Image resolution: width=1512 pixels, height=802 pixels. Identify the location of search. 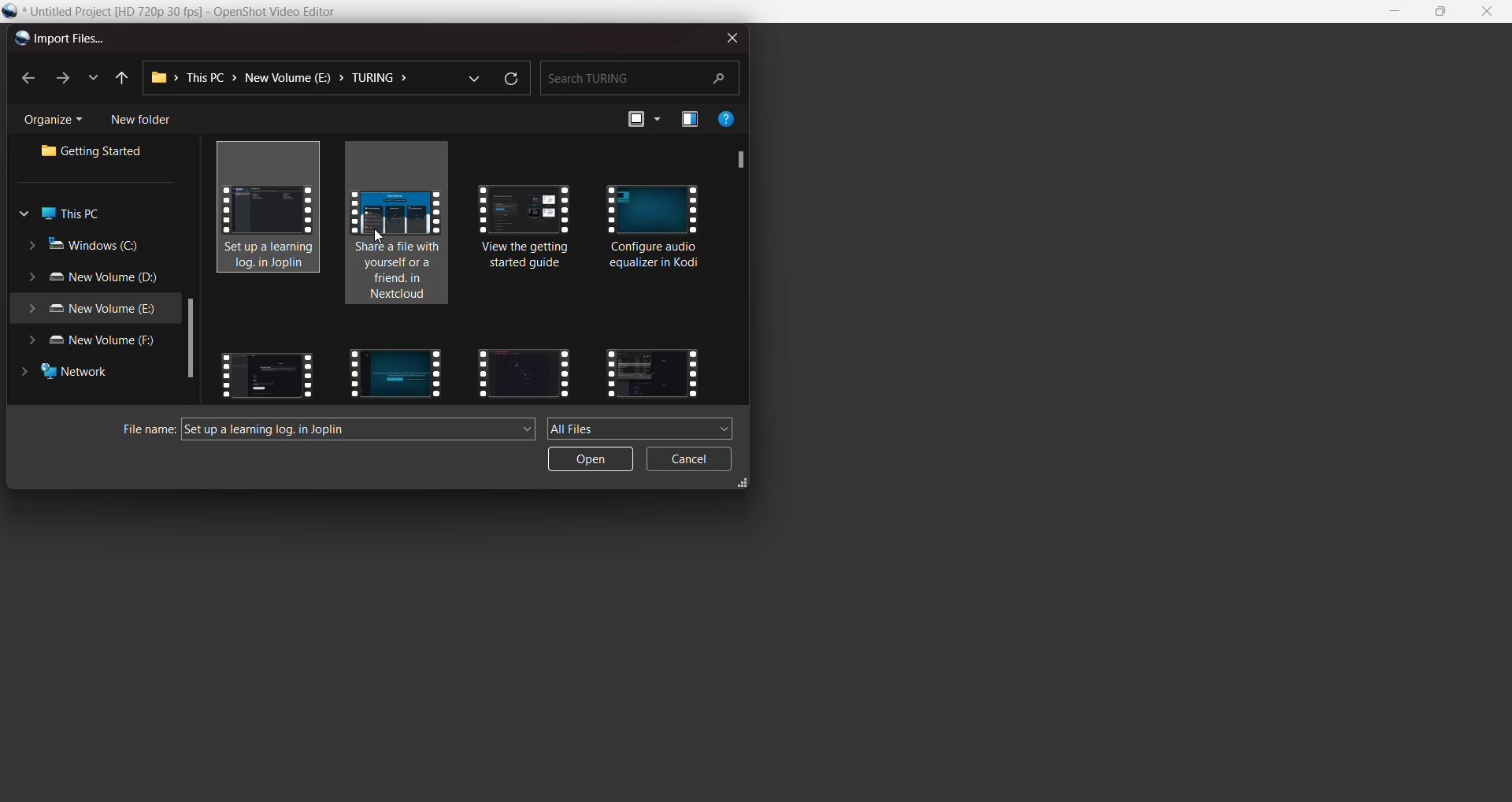
(639, 76).